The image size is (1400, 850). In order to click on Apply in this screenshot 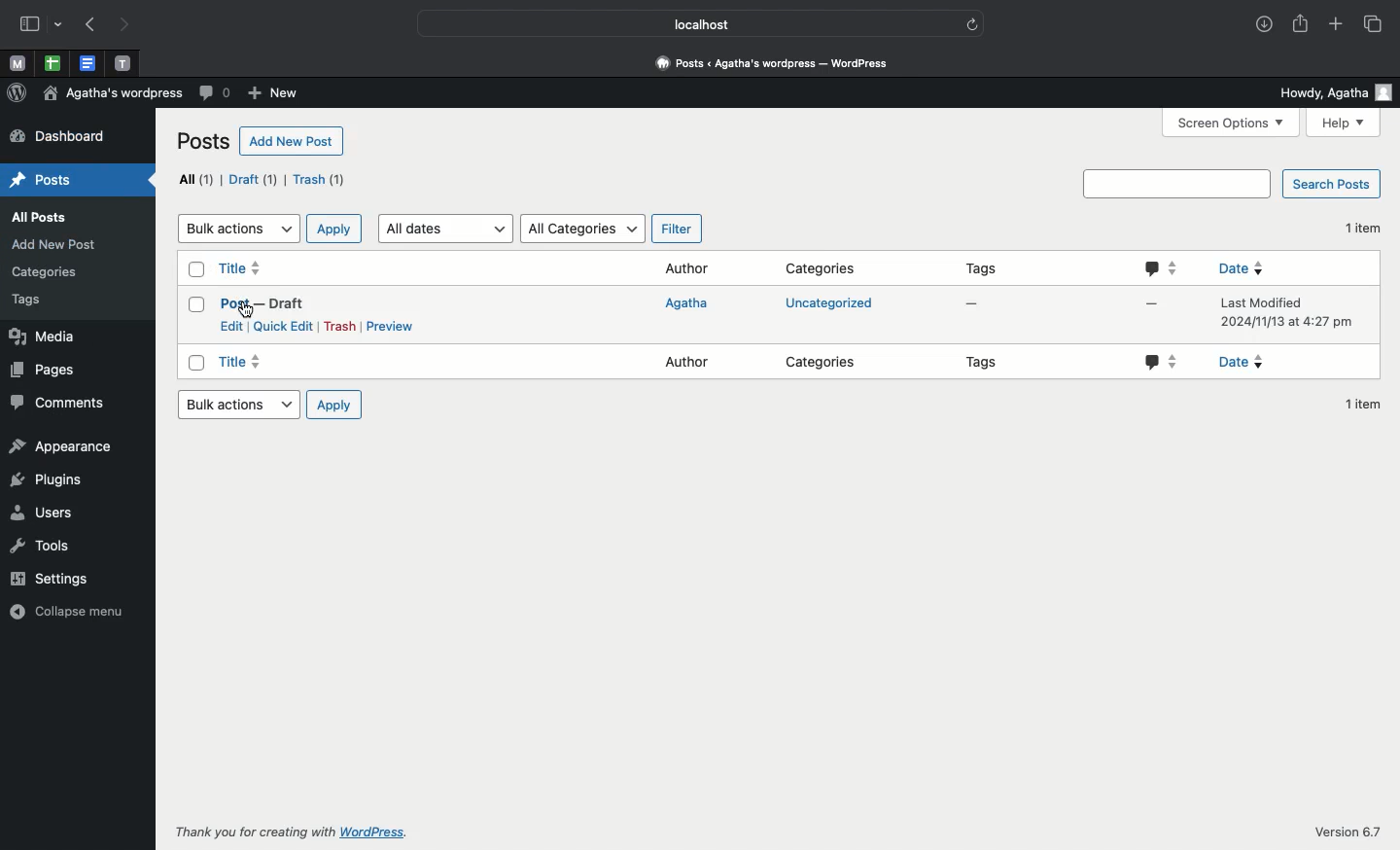, I will do `click(333, 404)`.